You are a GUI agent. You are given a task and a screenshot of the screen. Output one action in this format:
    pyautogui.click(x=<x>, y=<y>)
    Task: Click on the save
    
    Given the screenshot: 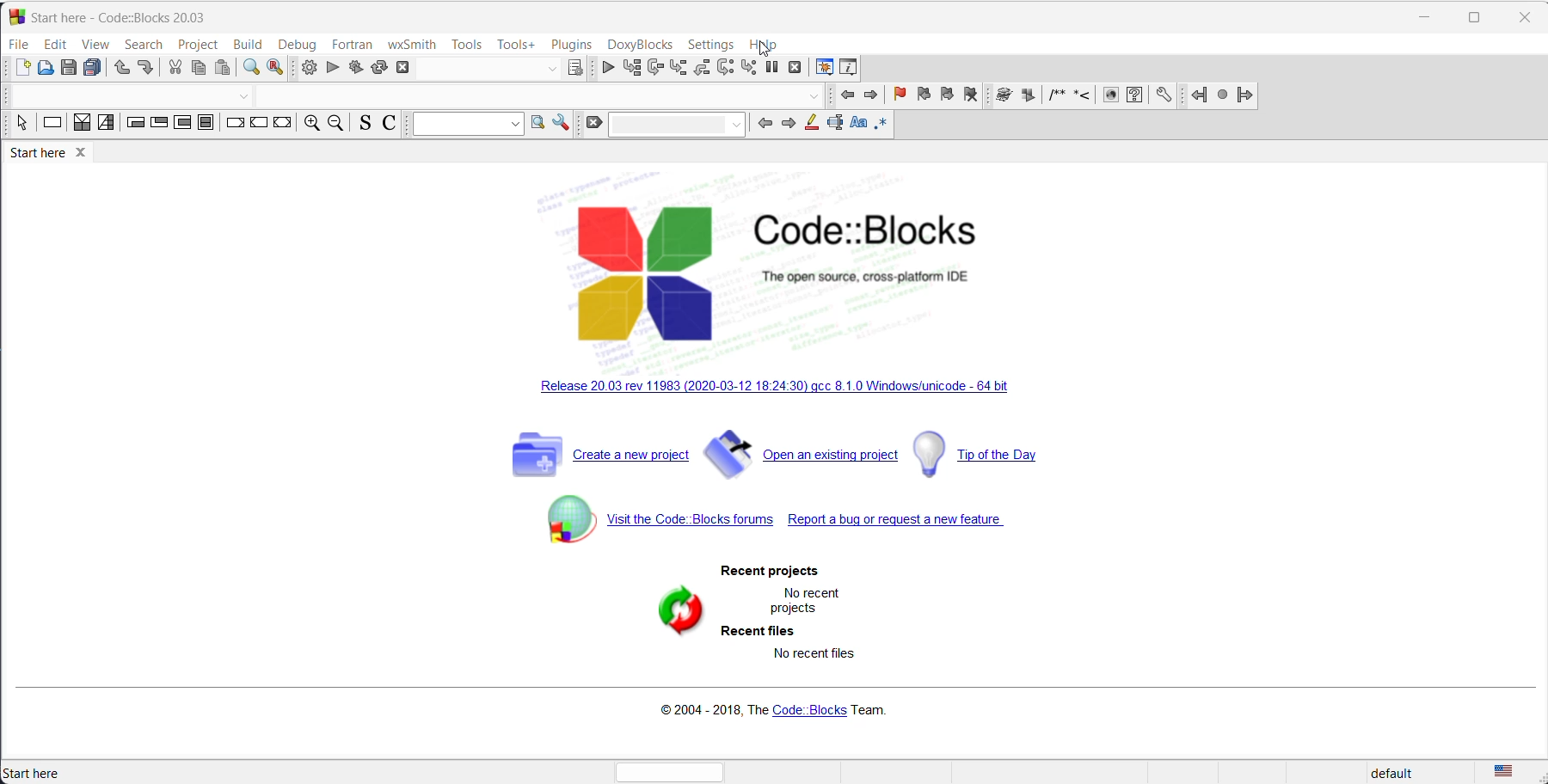 What is the action you would take?
    pyautogui.click(x=66, y=69)
    